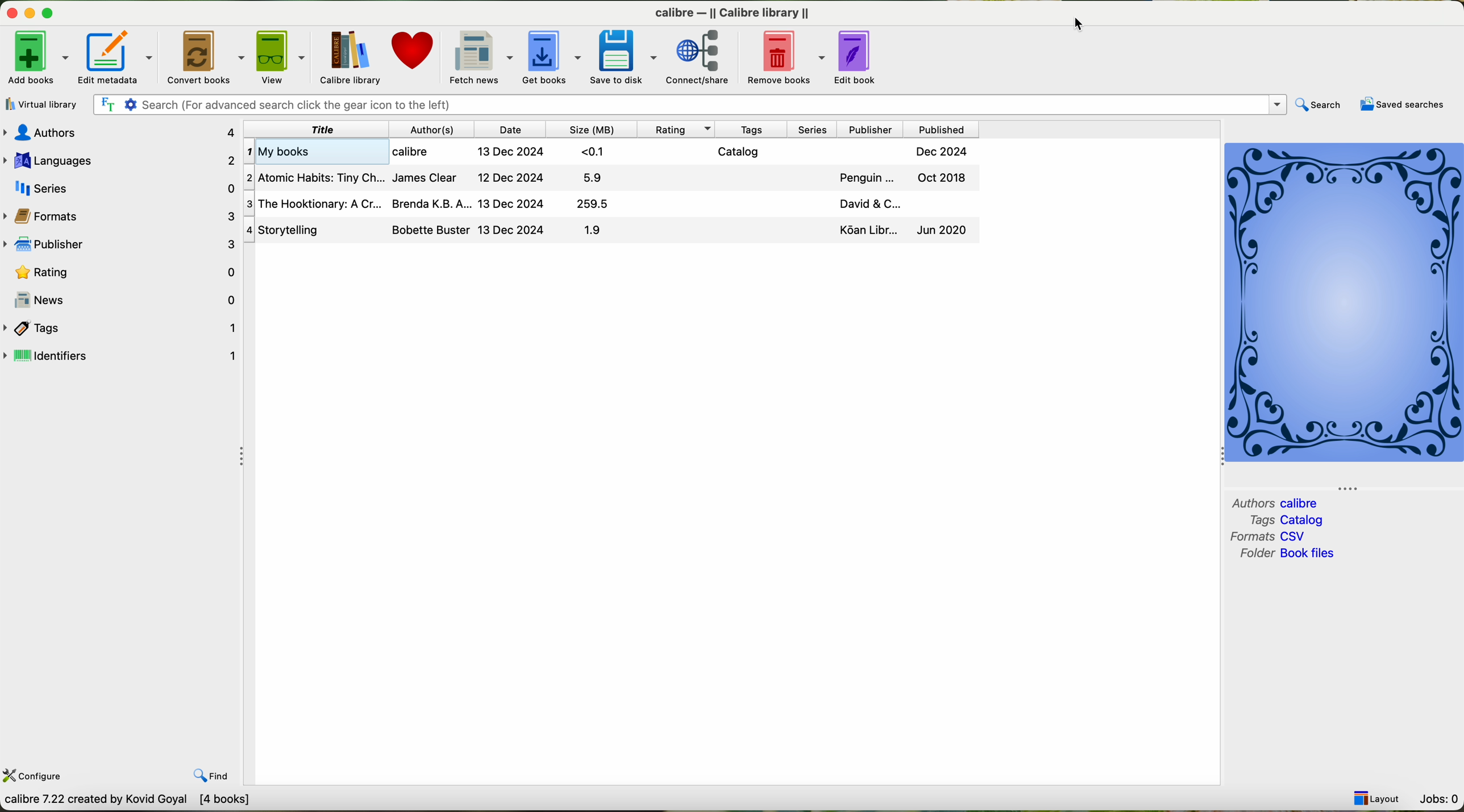 The height and width of the screenshot is (812, 1464). I want to click on maximize Calibre, so click(50, 11).